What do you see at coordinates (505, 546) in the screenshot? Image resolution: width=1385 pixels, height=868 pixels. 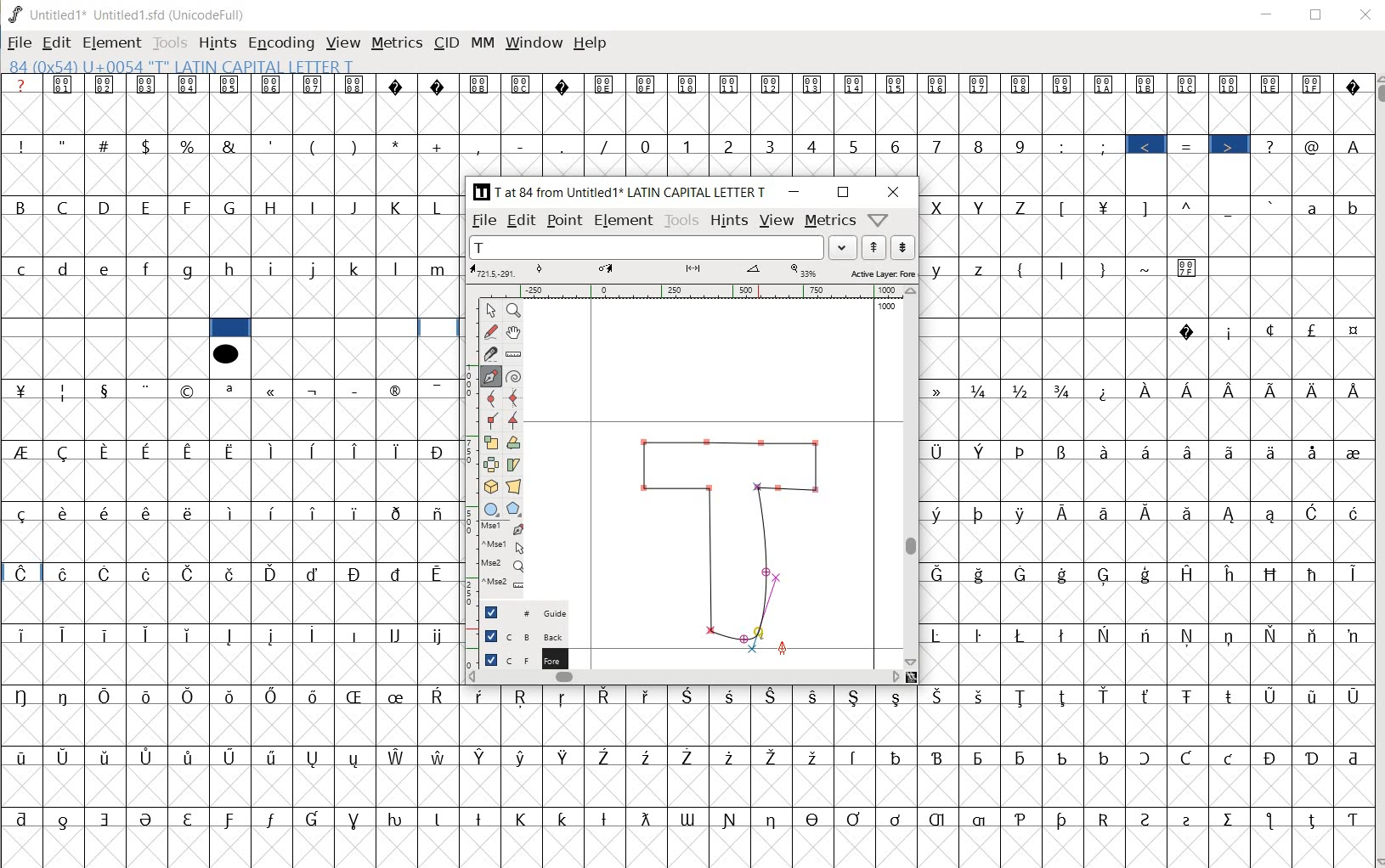 I see `Mouse left button + Ctrl` at bounding box center [505, 546].